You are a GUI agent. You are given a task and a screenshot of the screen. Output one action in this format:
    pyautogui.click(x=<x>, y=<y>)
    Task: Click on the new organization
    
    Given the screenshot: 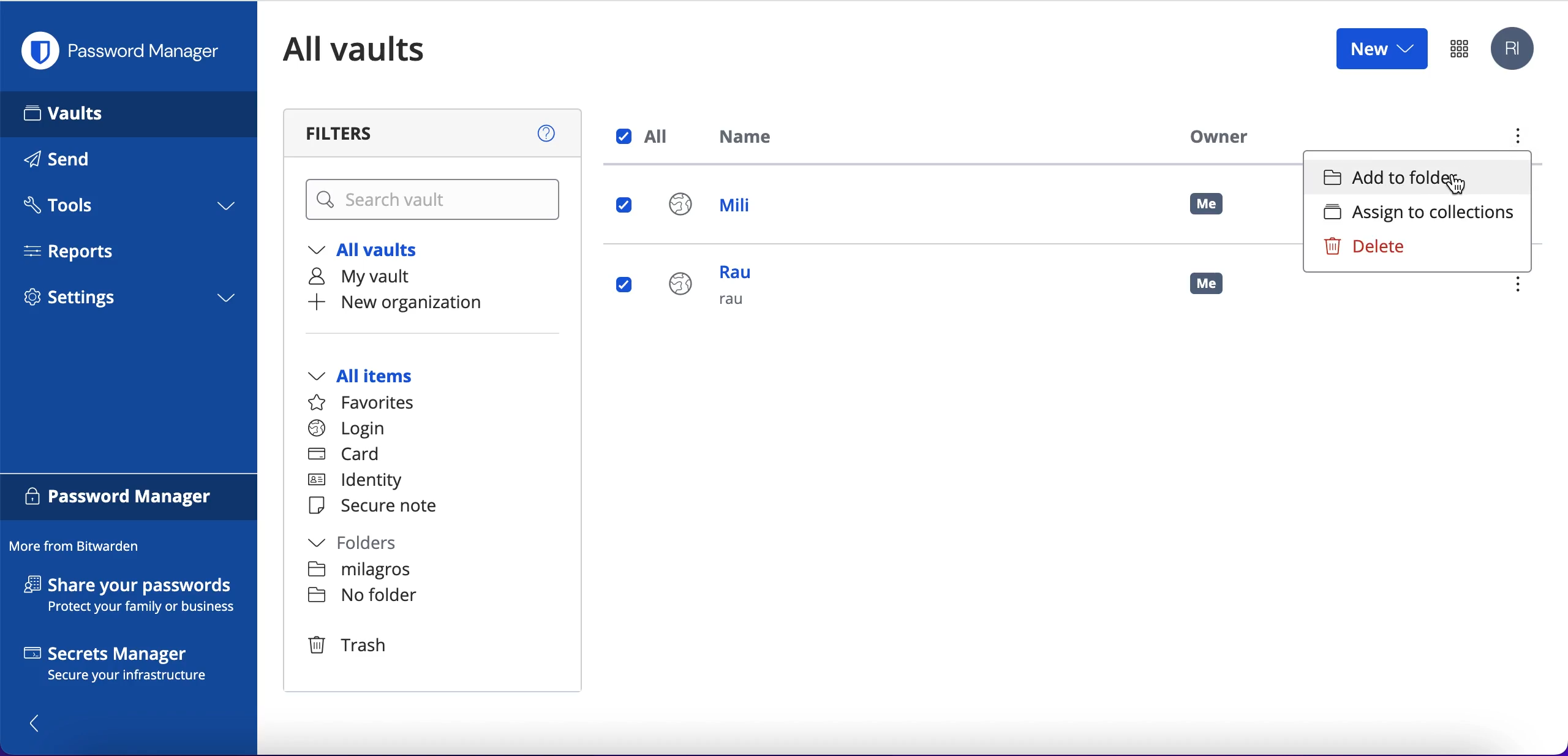 What is the action you would take?
    pyautogui.click(x=421, y=303)
    